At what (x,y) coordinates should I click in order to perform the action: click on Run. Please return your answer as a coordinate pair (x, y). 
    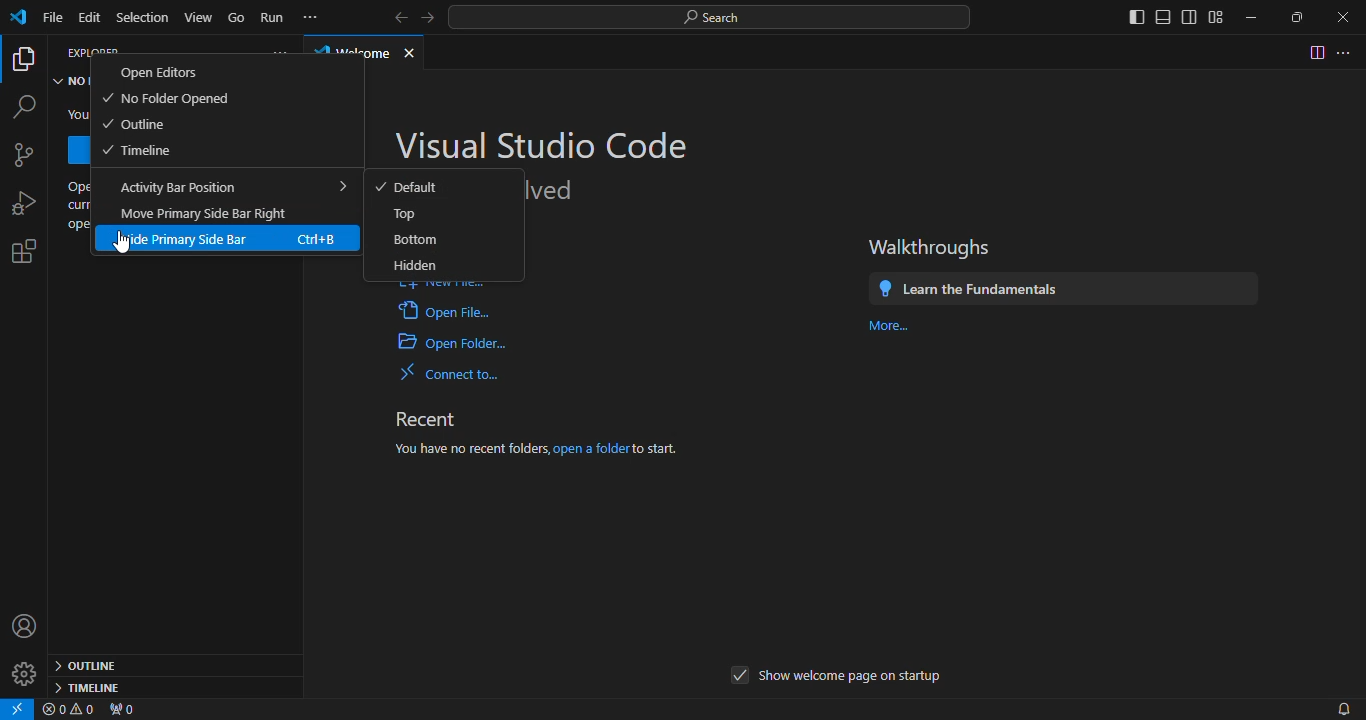
    Looking at the image, I should click on (271, 16).